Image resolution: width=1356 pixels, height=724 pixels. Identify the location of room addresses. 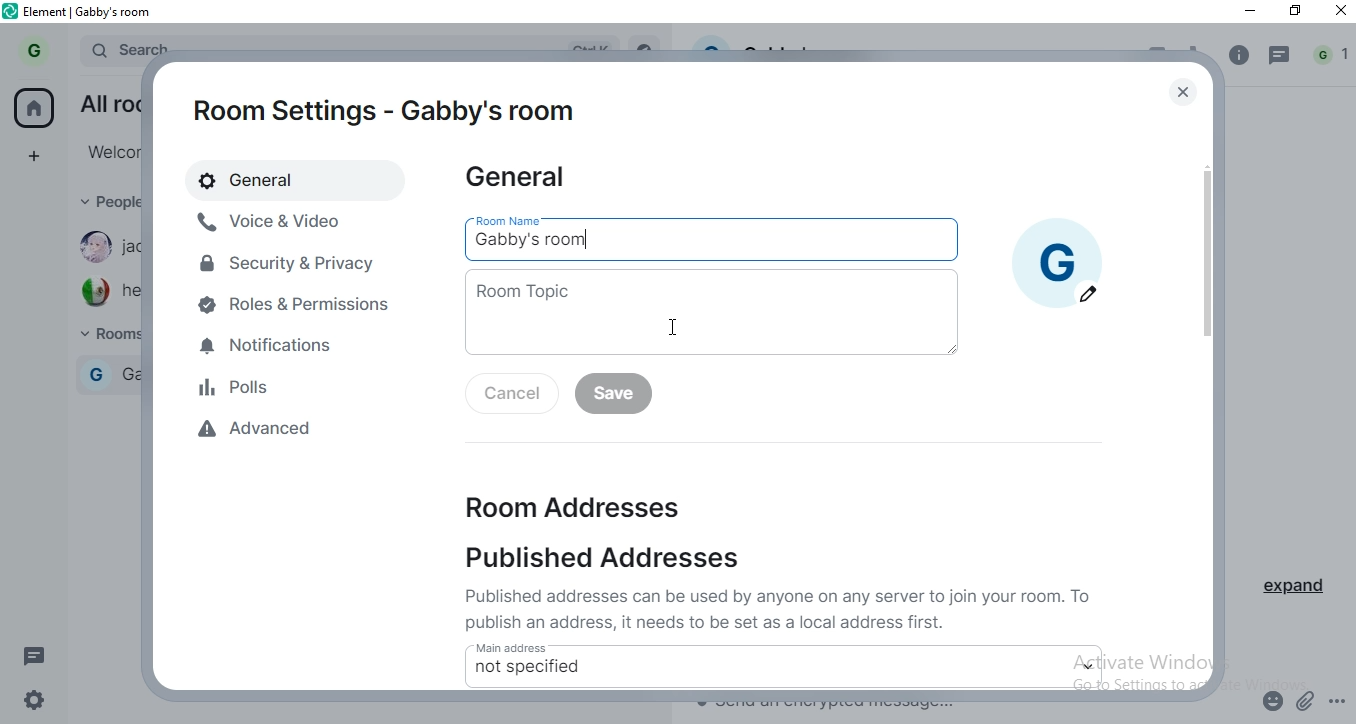
(560, 503).